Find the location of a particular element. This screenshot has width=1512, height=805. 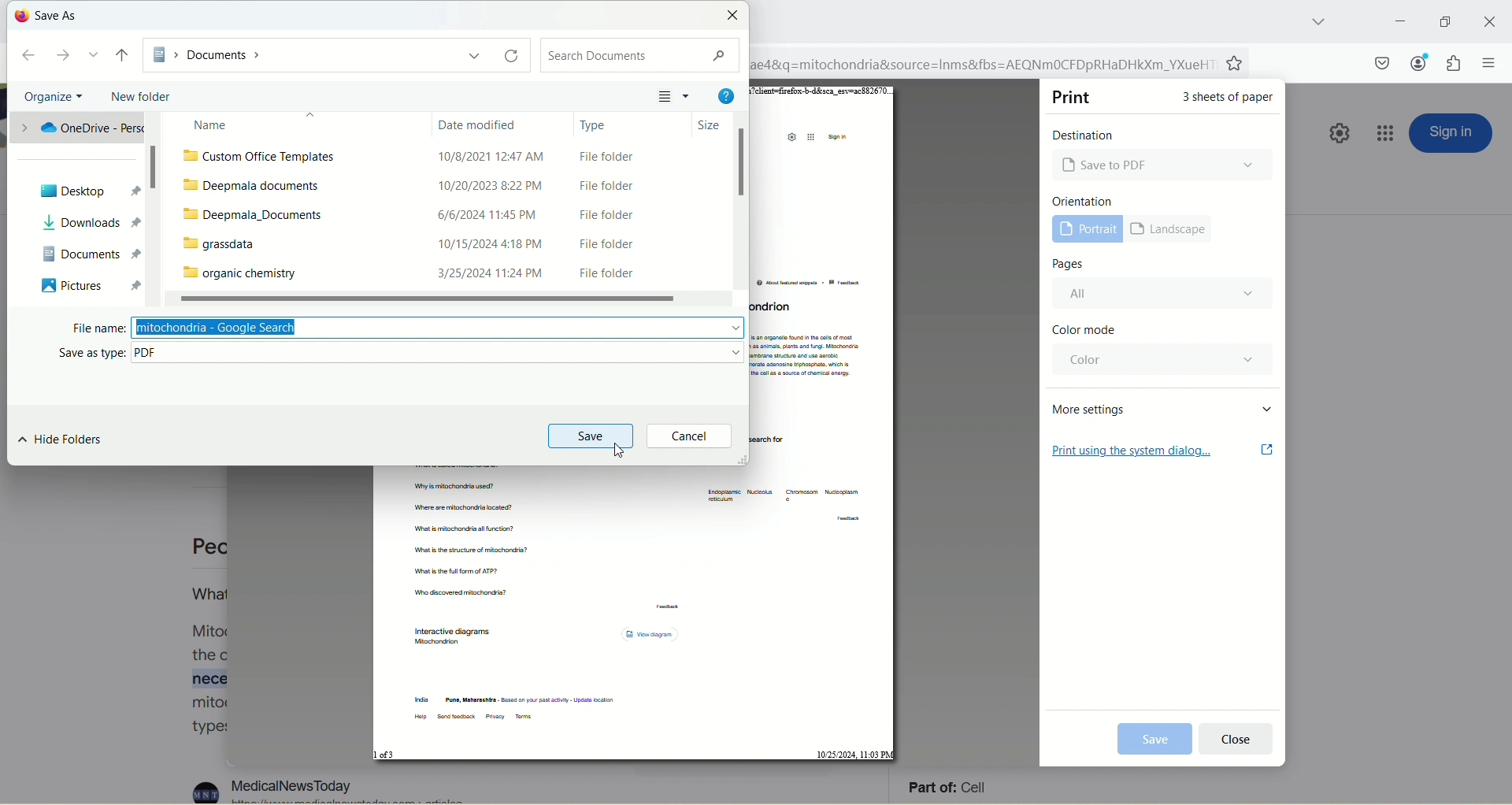

organic chemistry is located at coordinates (443, 273).